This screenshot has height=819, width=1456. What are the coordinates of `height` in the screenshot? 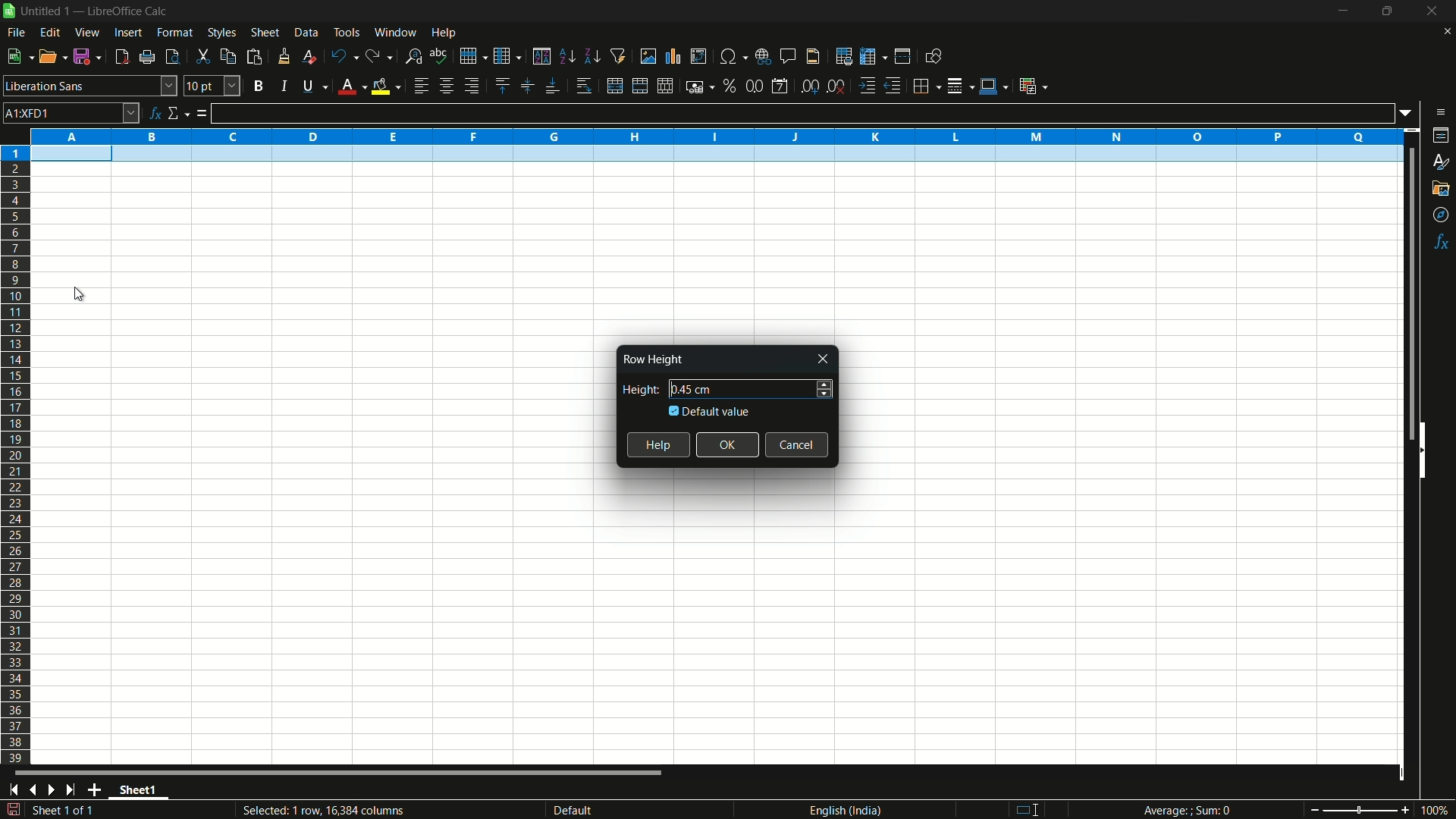 It's located at (637, 390).